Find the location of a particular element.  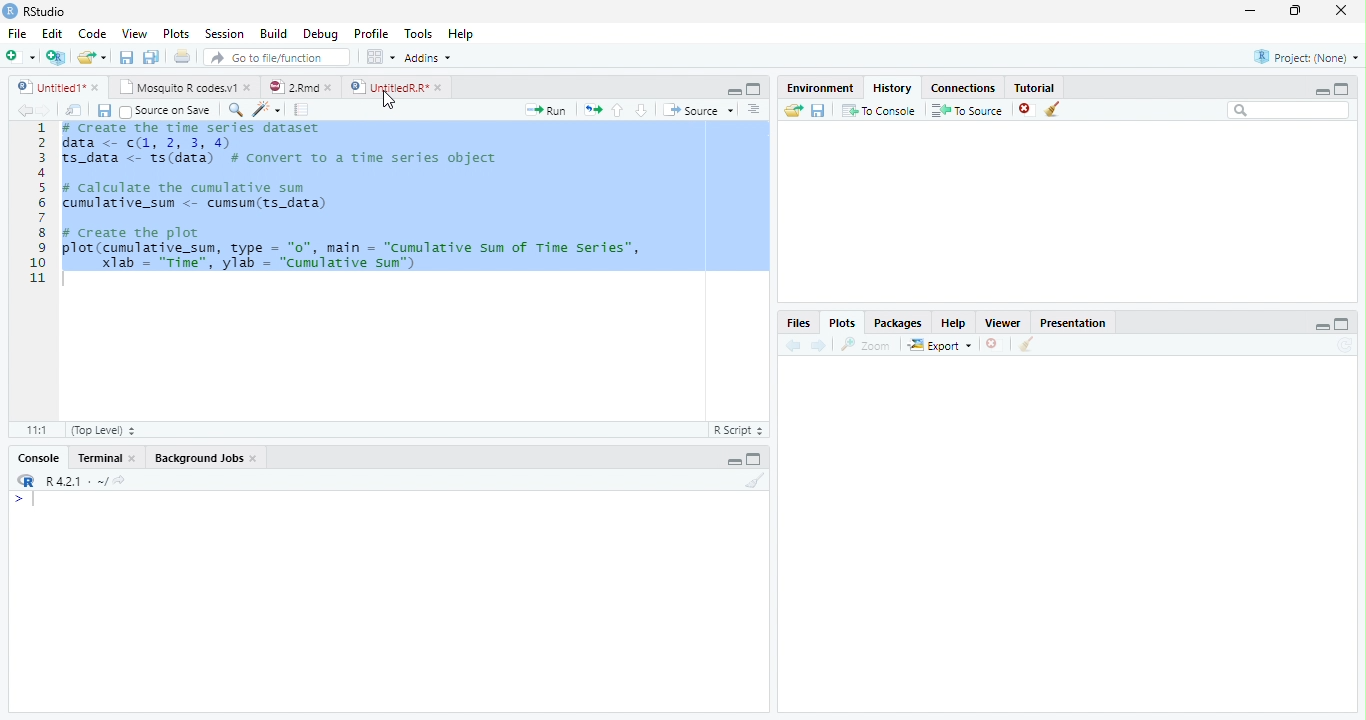

2.Rmd is located at coordinates (303, 88).